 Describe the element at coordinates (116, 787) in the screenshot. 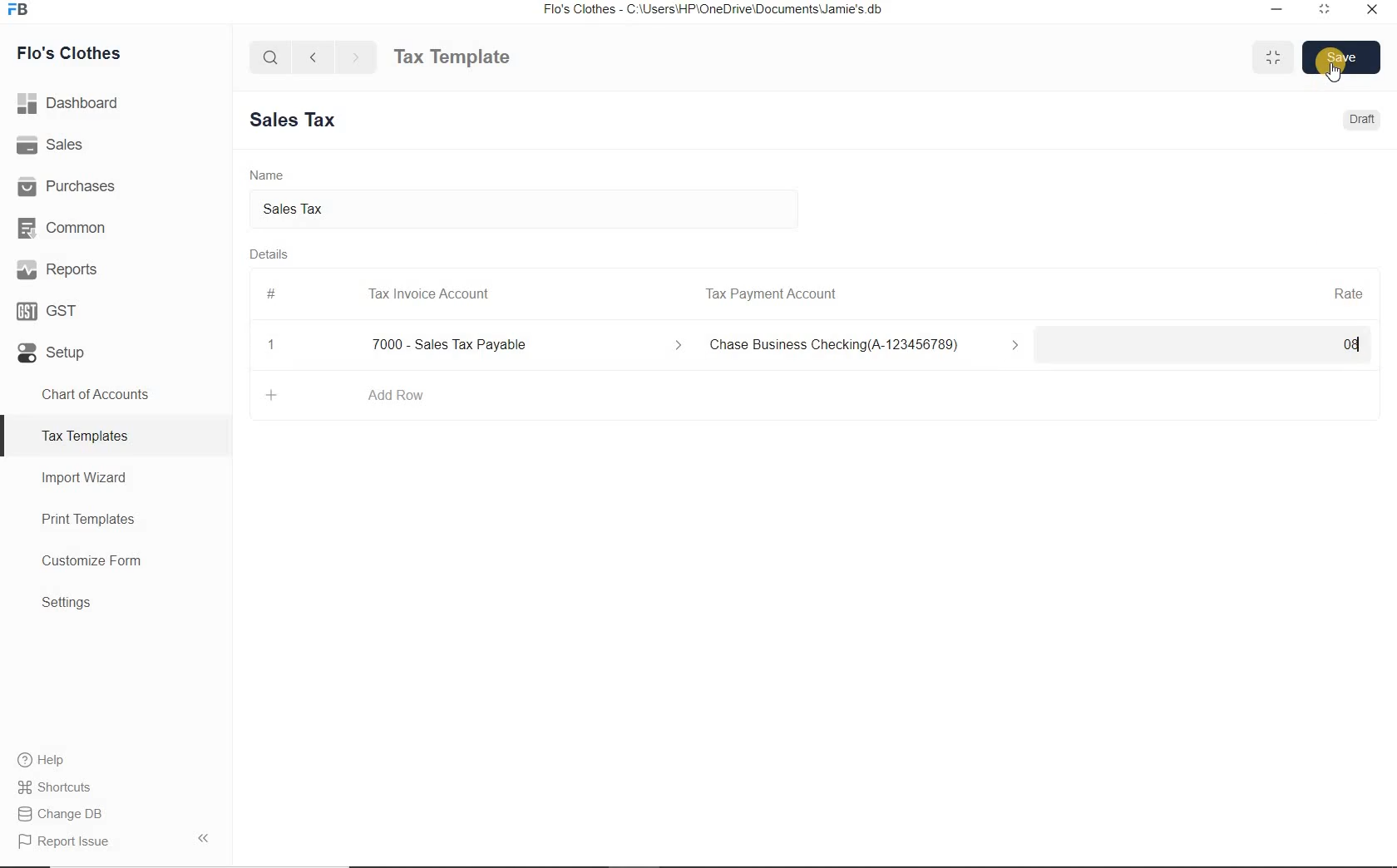

I see `Shortcuts` at that location.